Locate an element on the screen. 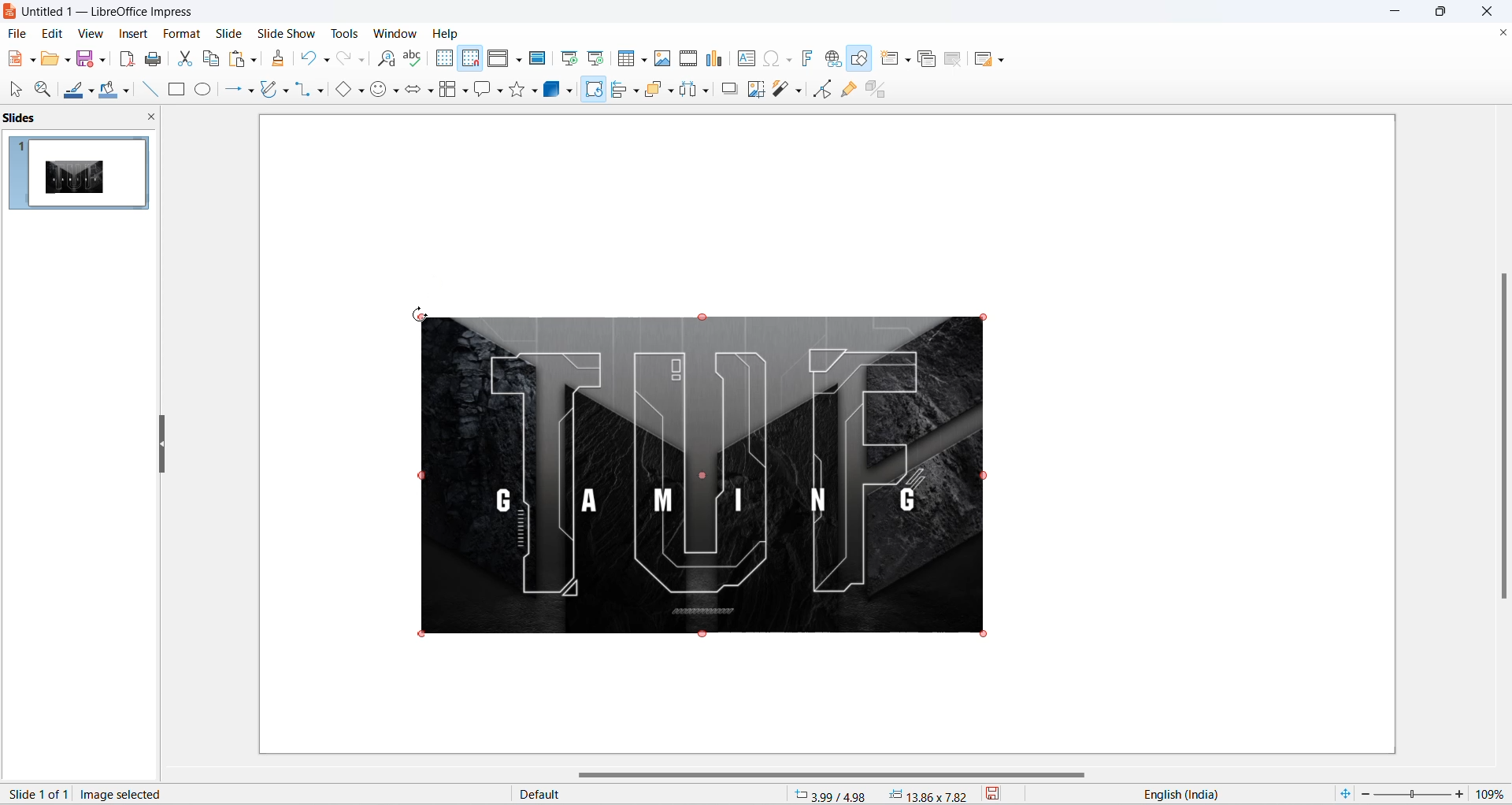 The height and width of the screenshot is (805, 1512). image selection markup is located at coordinates (420, 474).